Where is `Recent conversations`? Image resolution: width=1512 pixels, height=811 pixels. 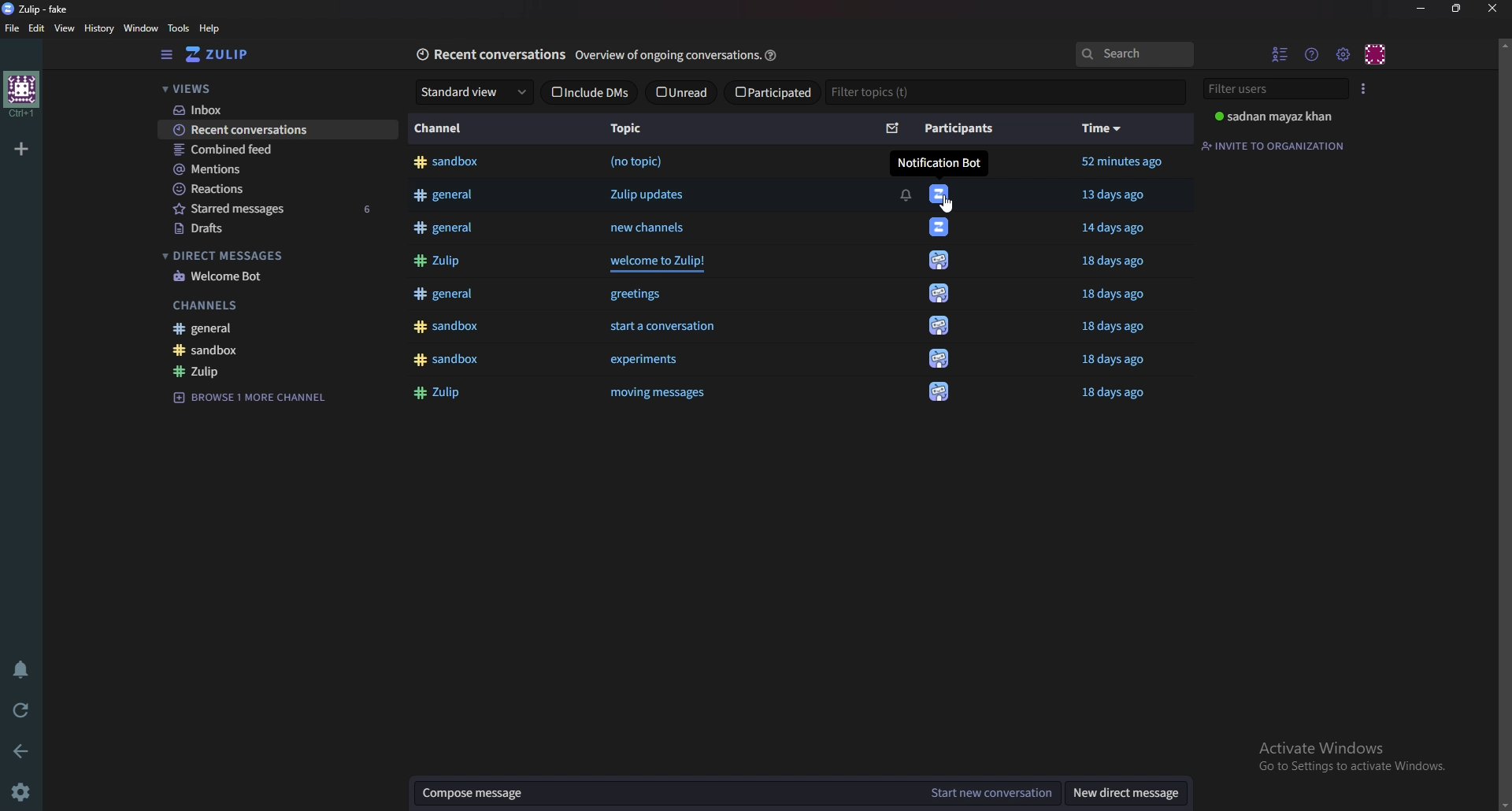 Recent conversations is located at coordinates (491, 53).